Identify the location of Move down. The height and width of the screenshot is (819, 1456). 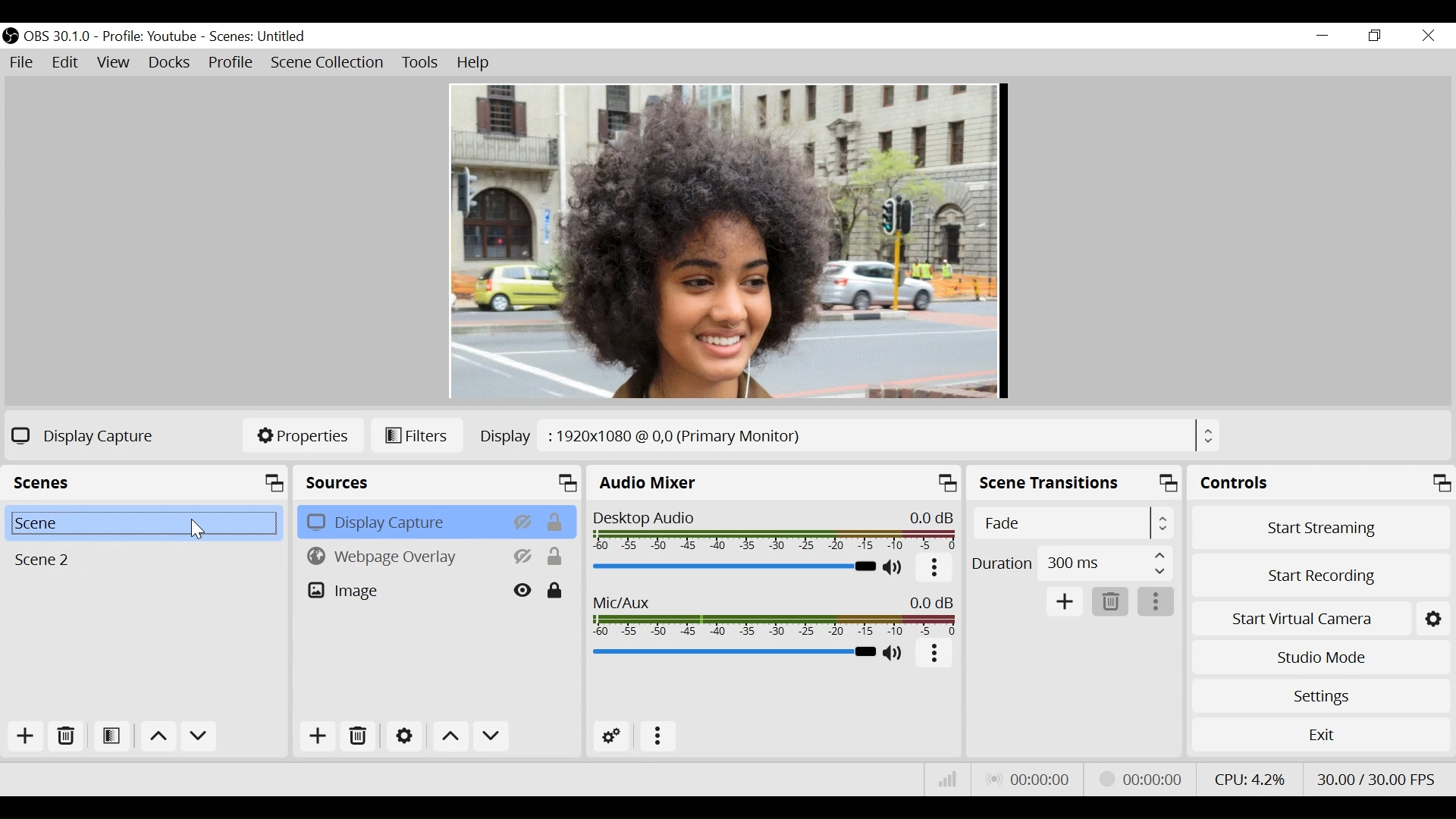
(198, 737).